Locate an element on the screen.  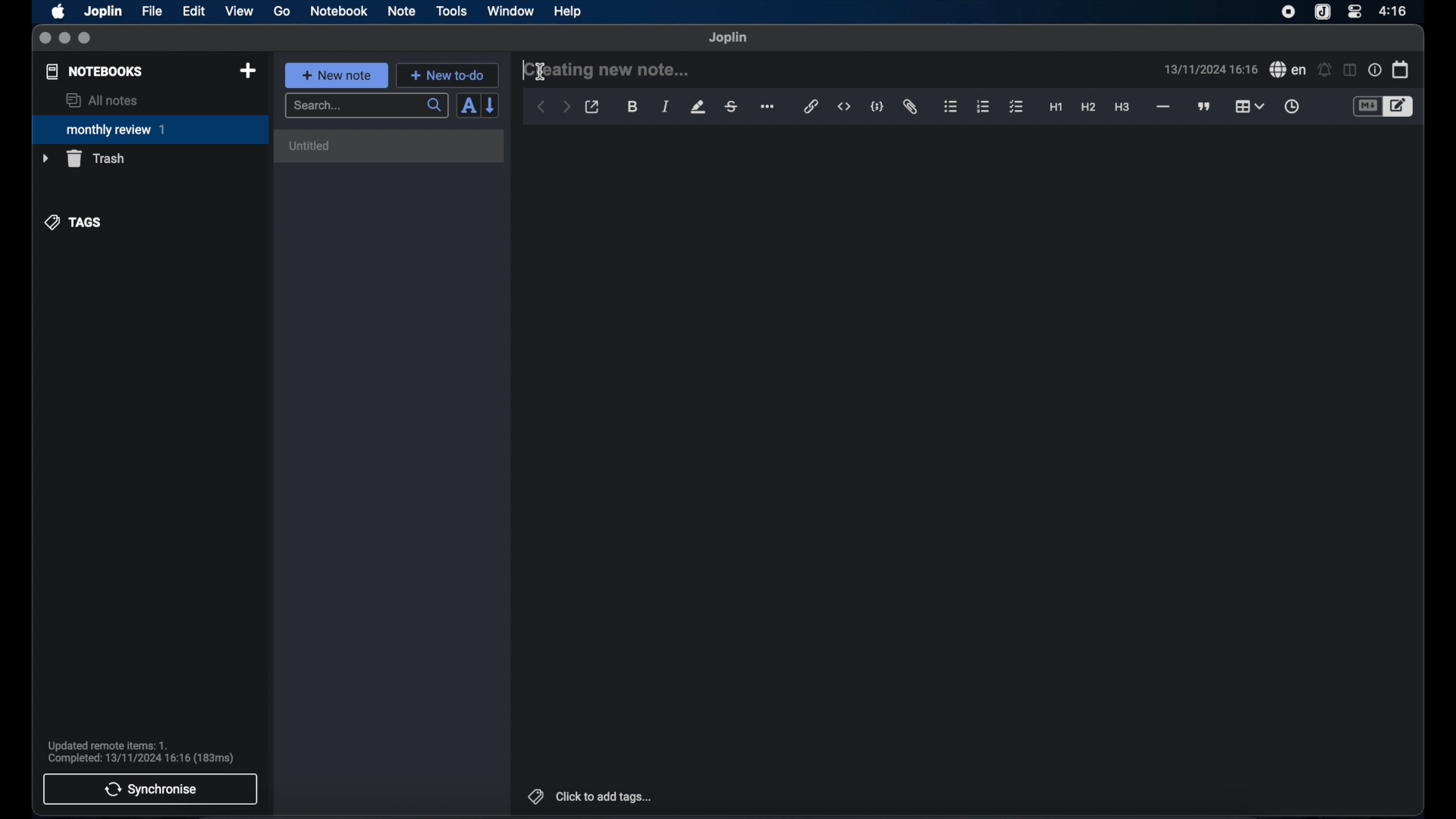
time is located at coordinates (1395, 11).